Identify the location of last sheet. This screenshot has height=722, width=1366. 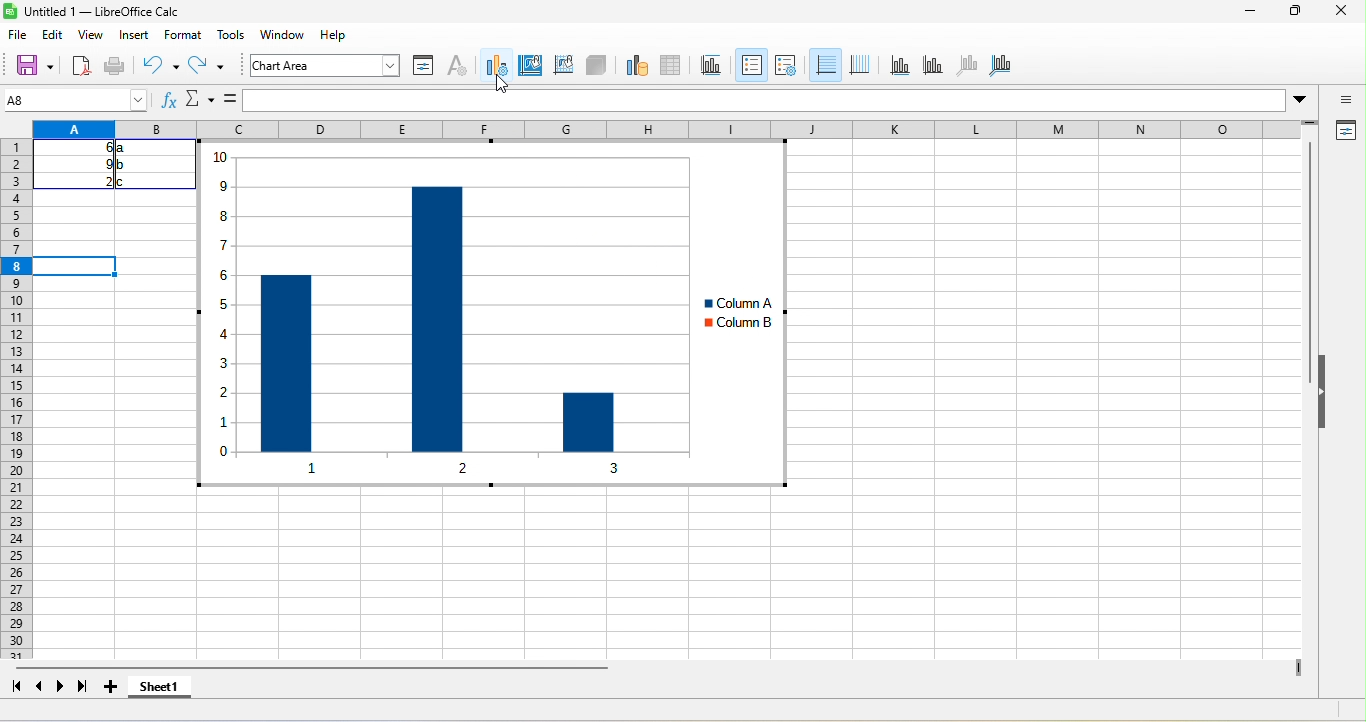
(82, 684).